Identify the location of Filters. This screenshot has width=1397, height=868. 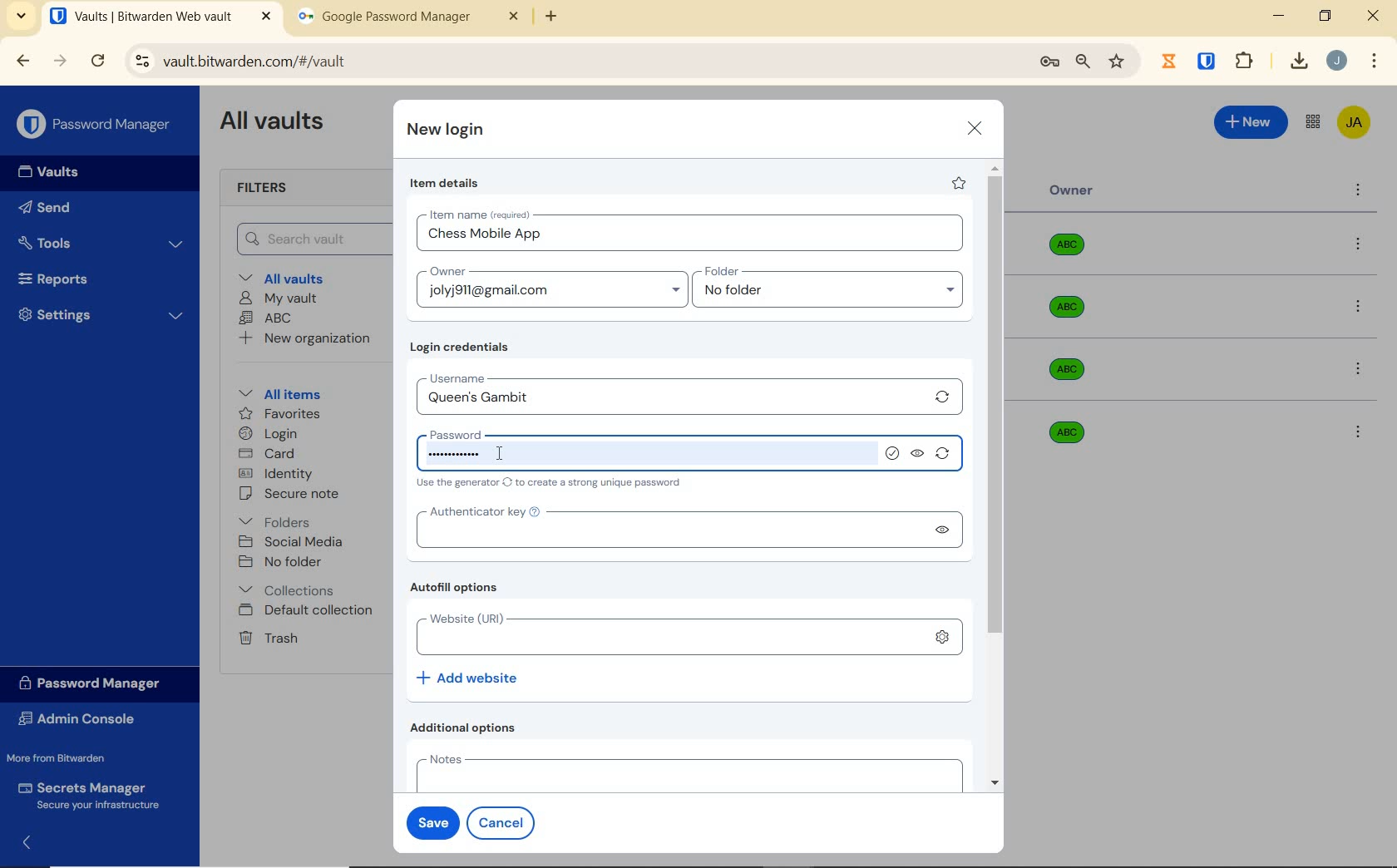
(268, 189).